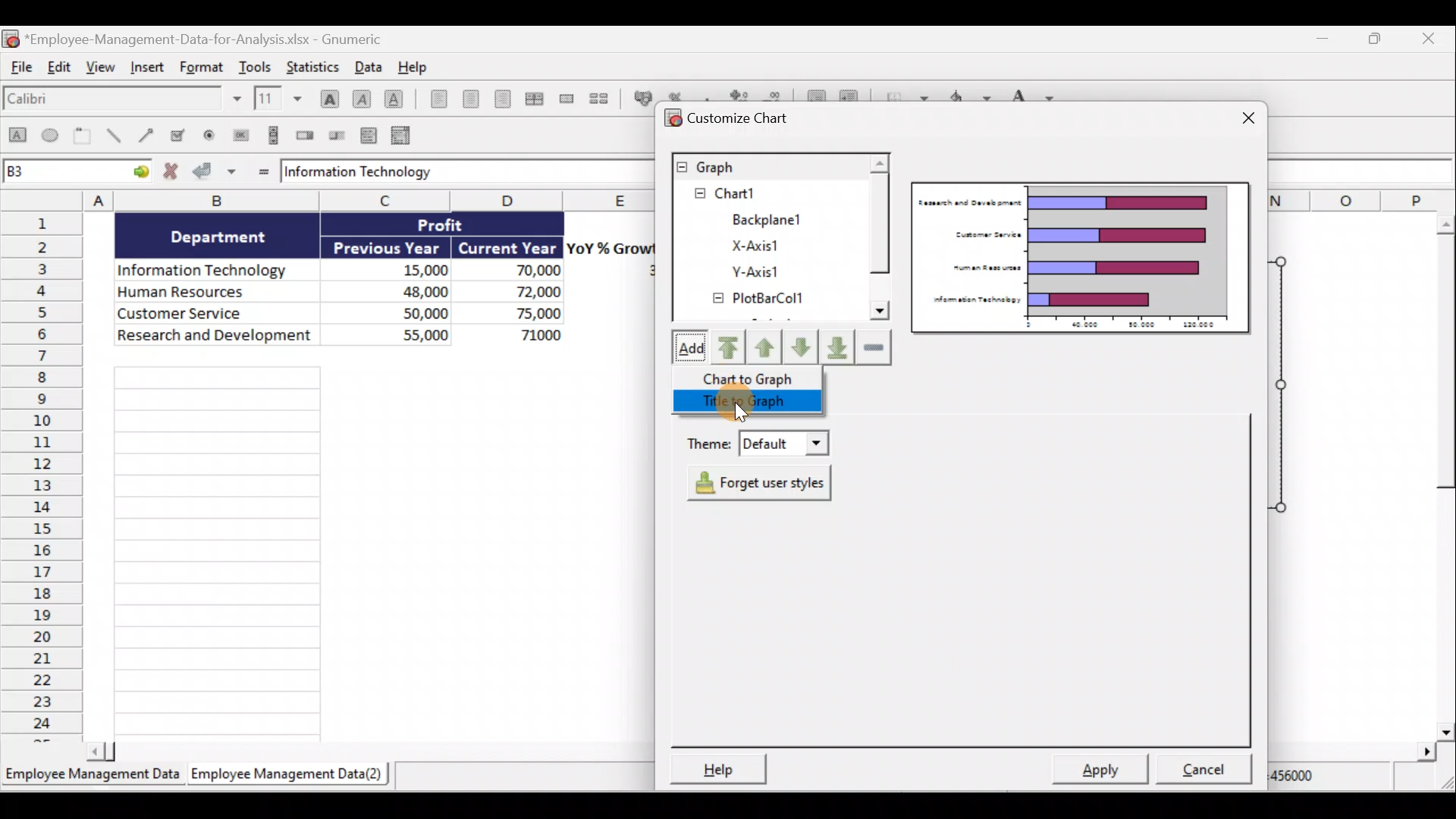 The height and width of the screenshot is (819, 1456). I want to click on Columns, so click(325, 199).